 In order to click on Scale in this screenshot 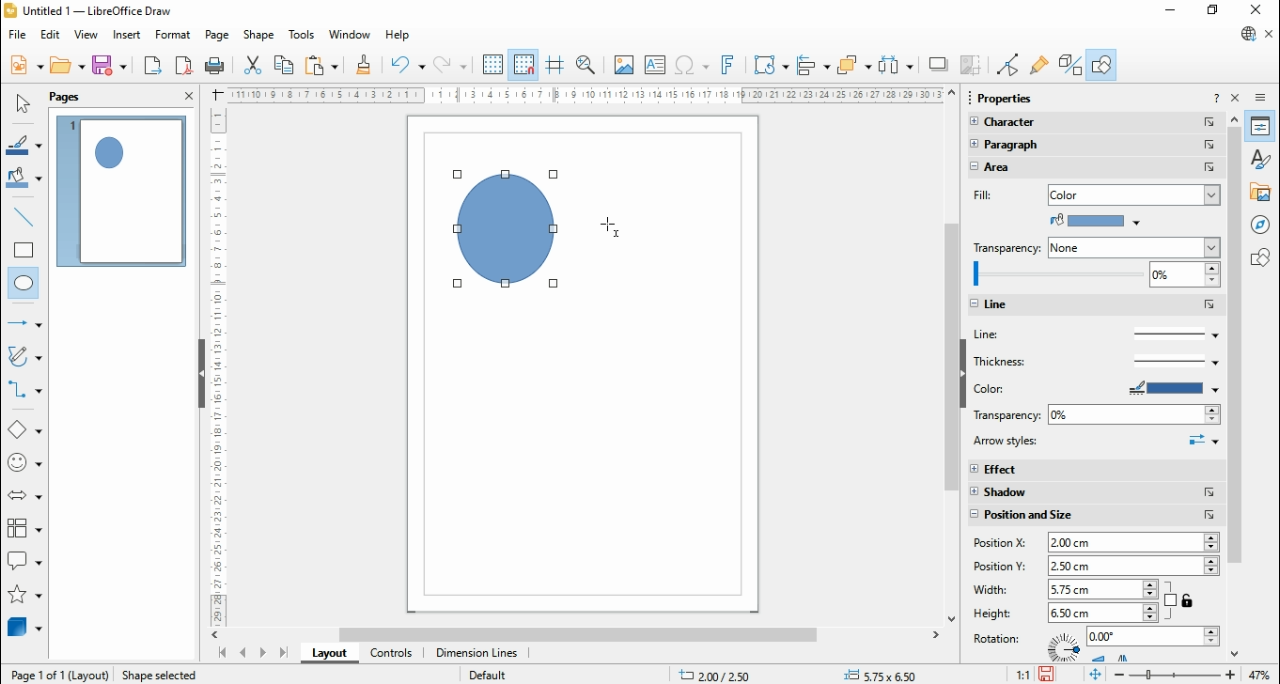, I will do `click(585, 95)`.